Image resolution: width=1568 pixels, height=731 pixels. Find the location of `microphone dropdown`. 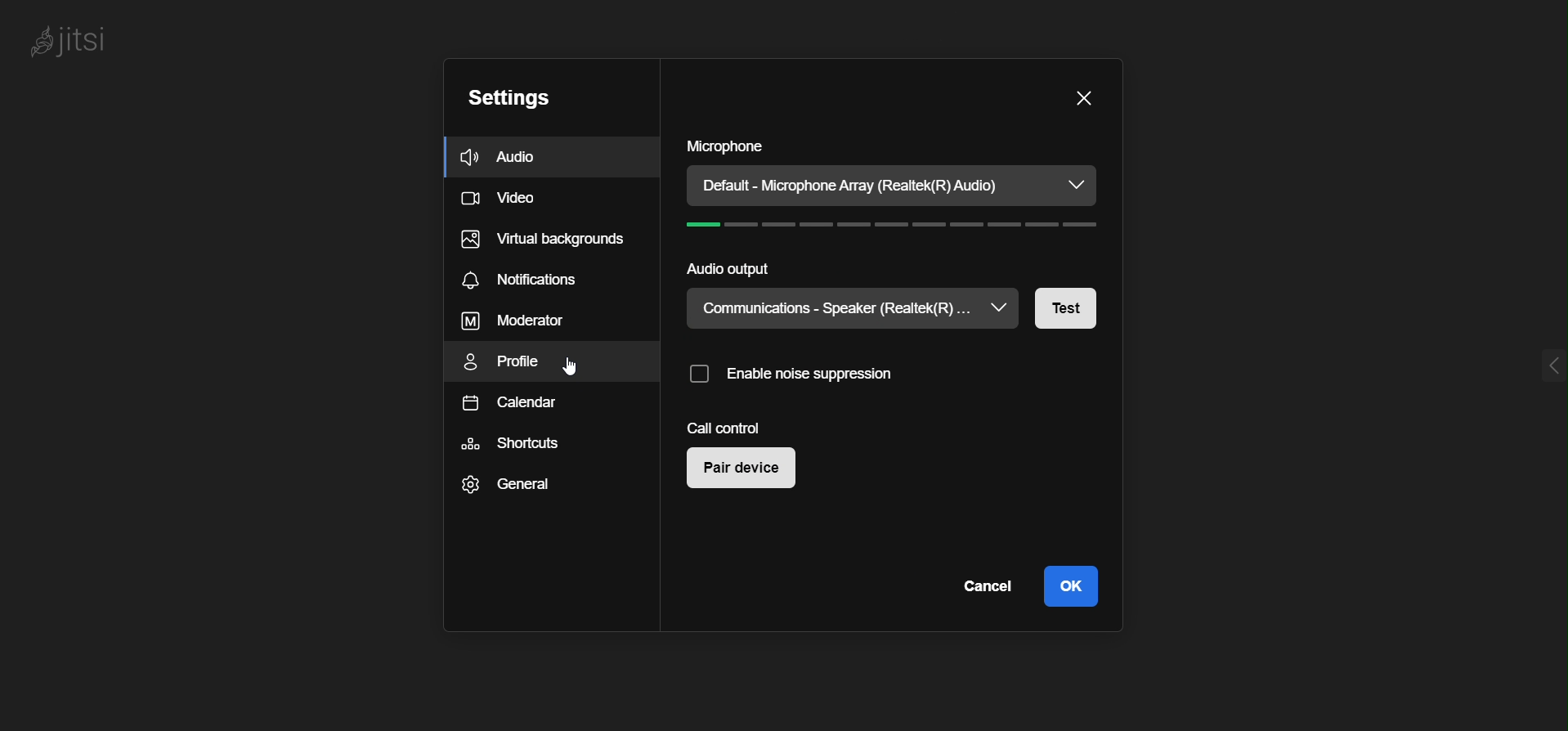

microphone dropdown is located at coordinates (1078, 186).